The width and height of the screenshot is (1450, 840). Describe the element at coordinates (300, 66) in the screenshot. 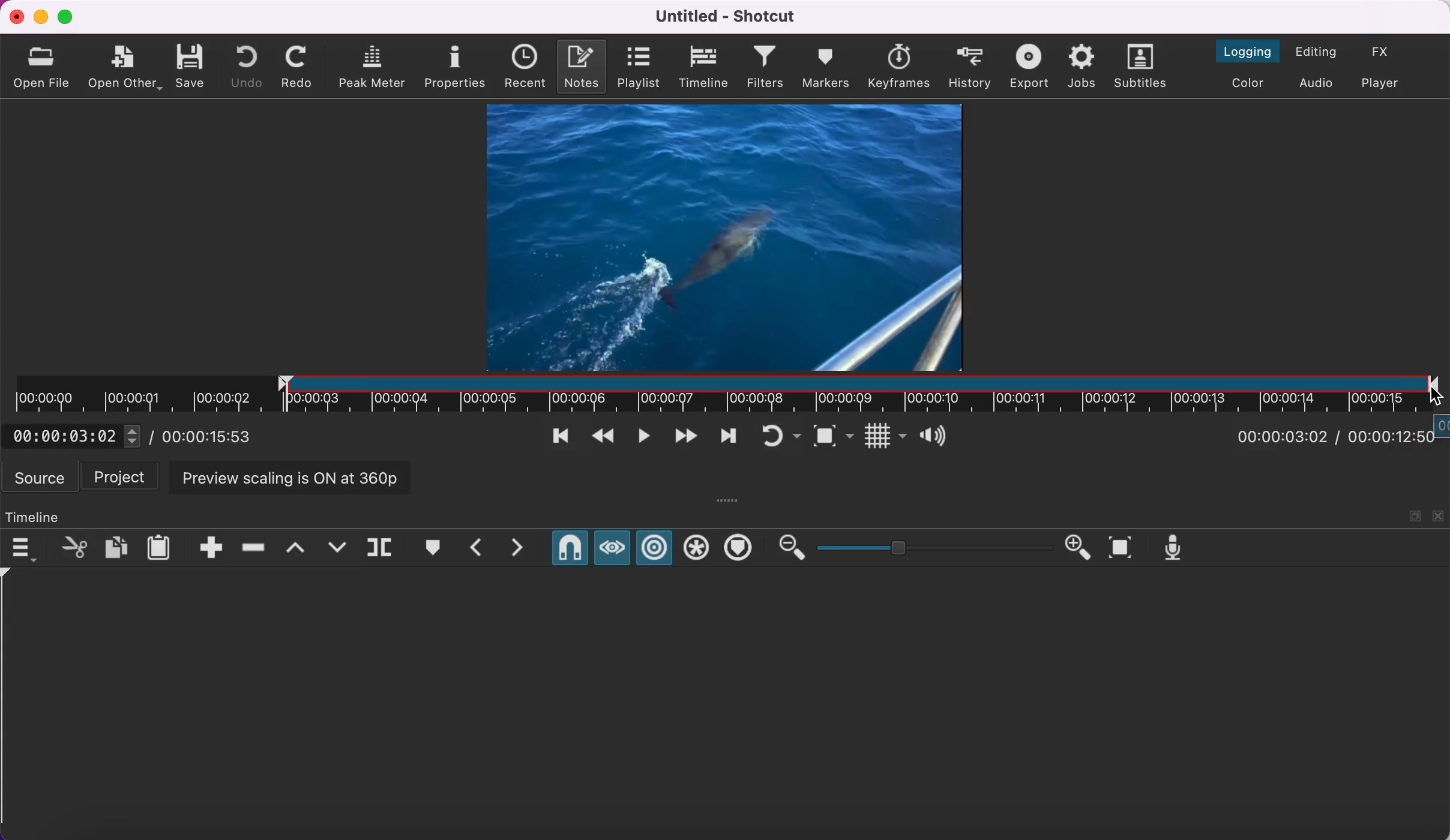

I see `redo` at that location.